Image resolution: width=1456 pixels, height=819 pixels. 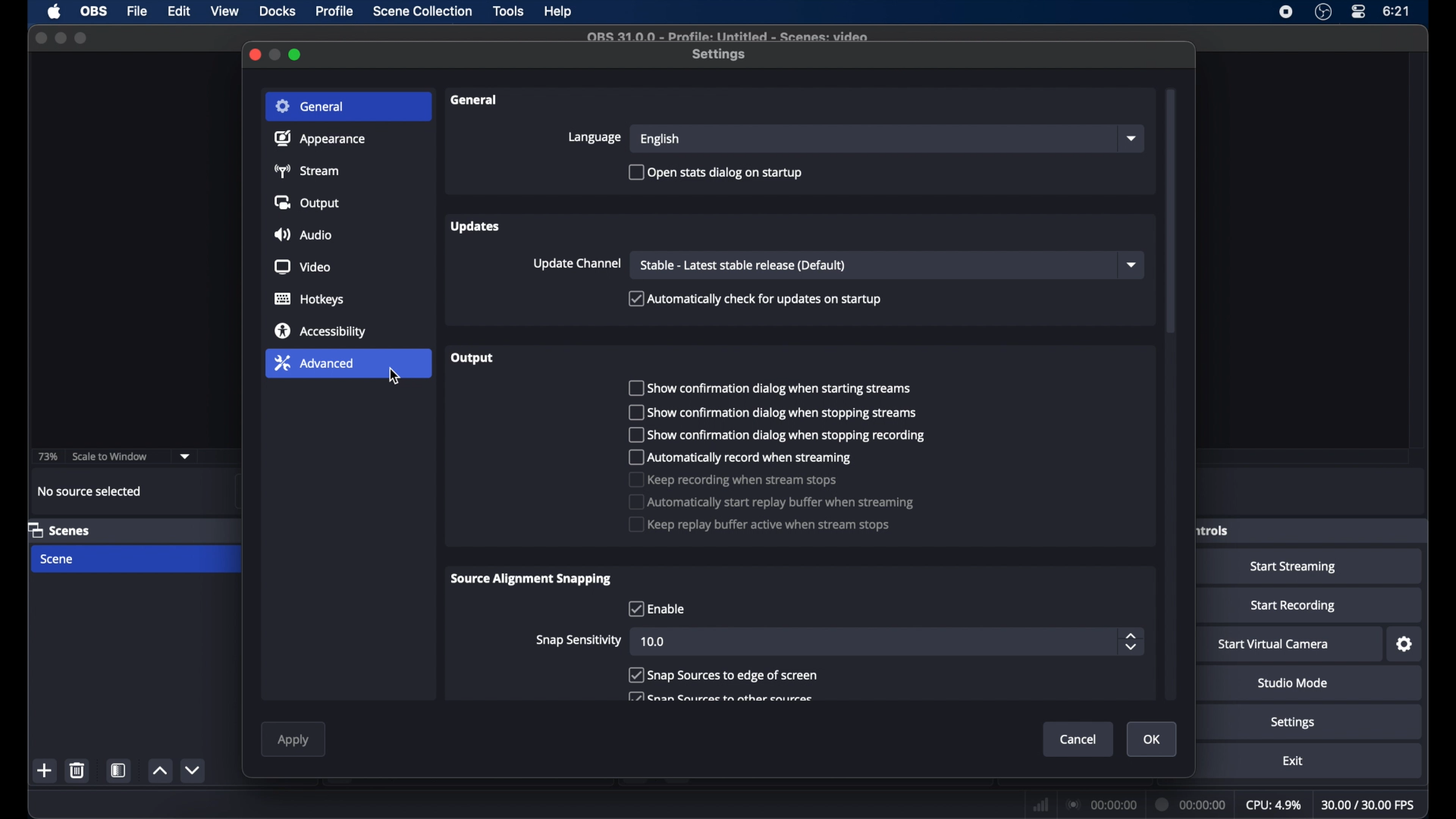 I want to click on stream, so click(x=305, y=171).